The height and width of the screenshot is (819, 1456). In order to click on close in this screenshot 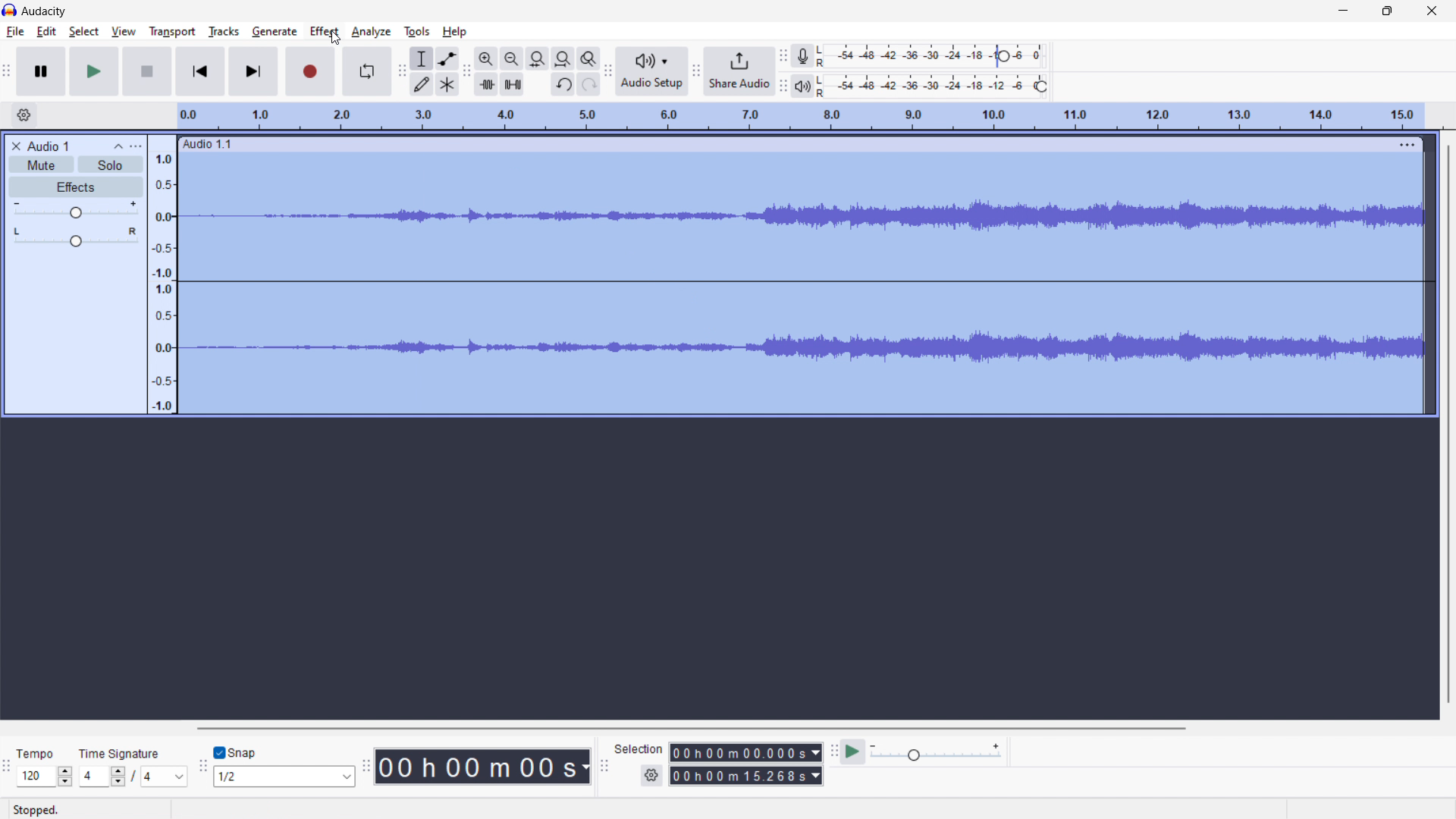, I will do `click(1432, 11)`.